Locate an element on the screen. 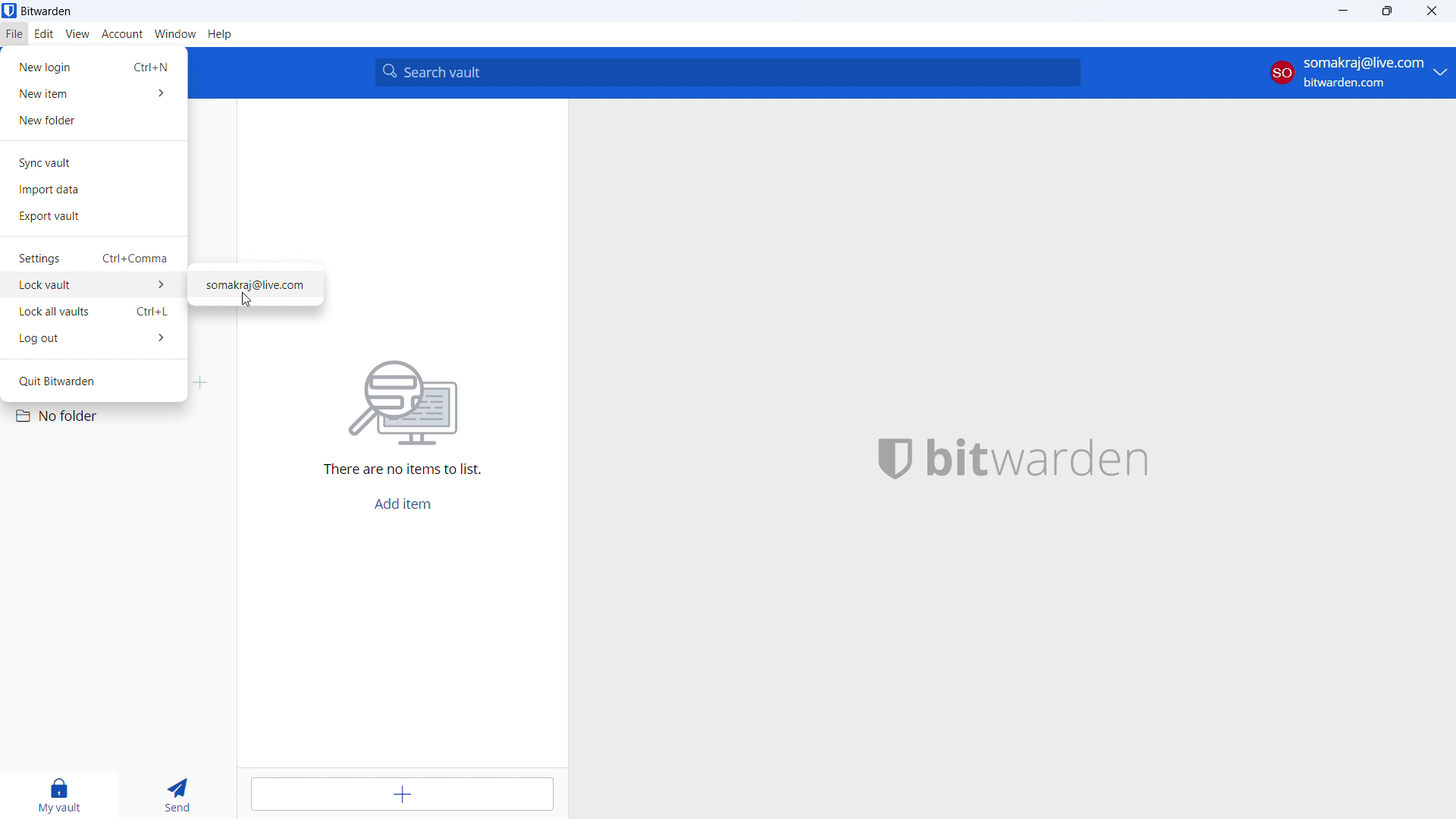 This screenshot has height=819, width=1456. close is located at coordinates (1432, 11).